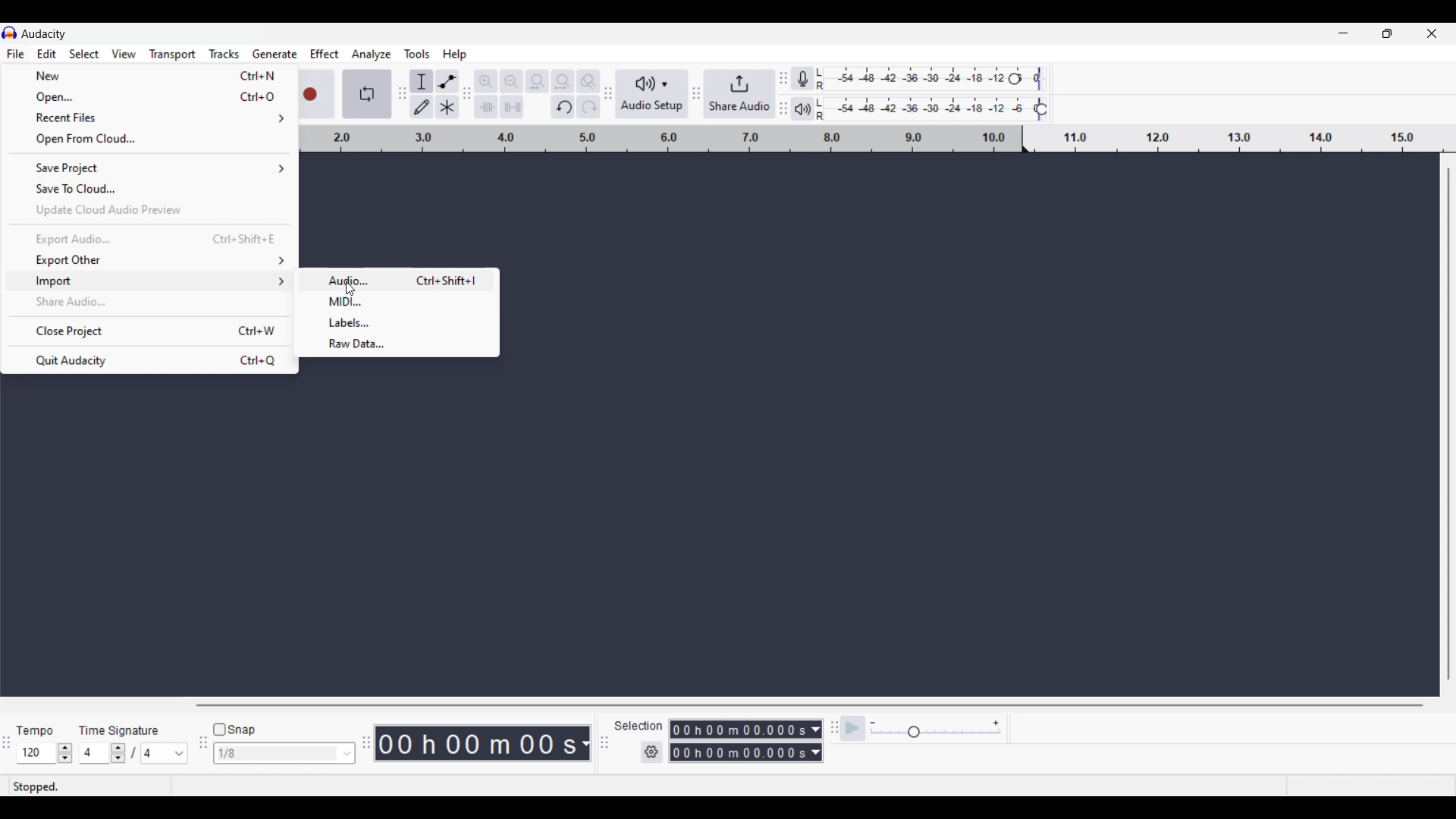  Describe the element at coordinates (133, 753) in the screenshot. I see `4/4 (select time signature)` at that location.